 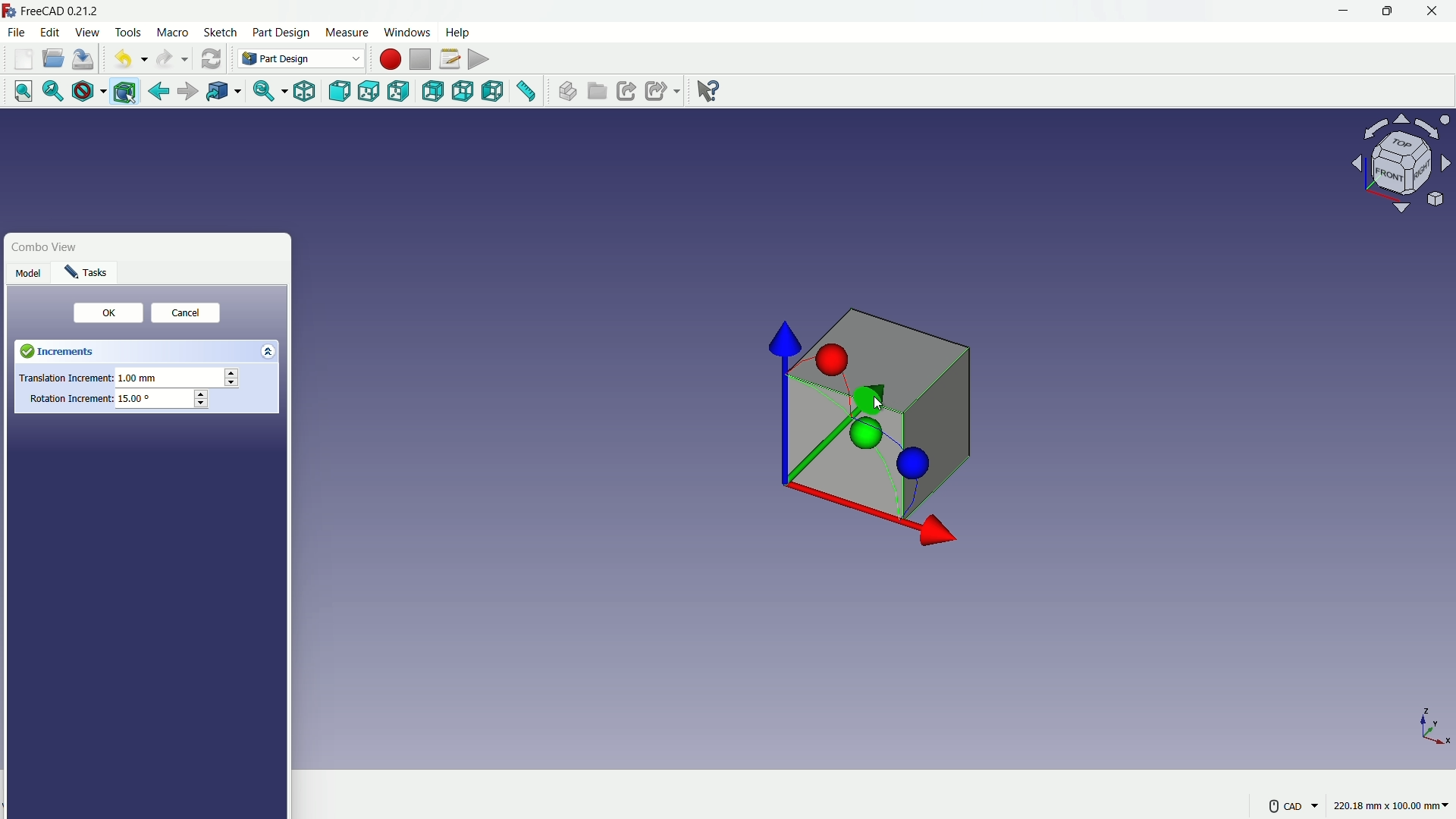 What do you see at coordinates (566, 92) in the screenshot?
I see `create part` at bounding box center [566, 92].